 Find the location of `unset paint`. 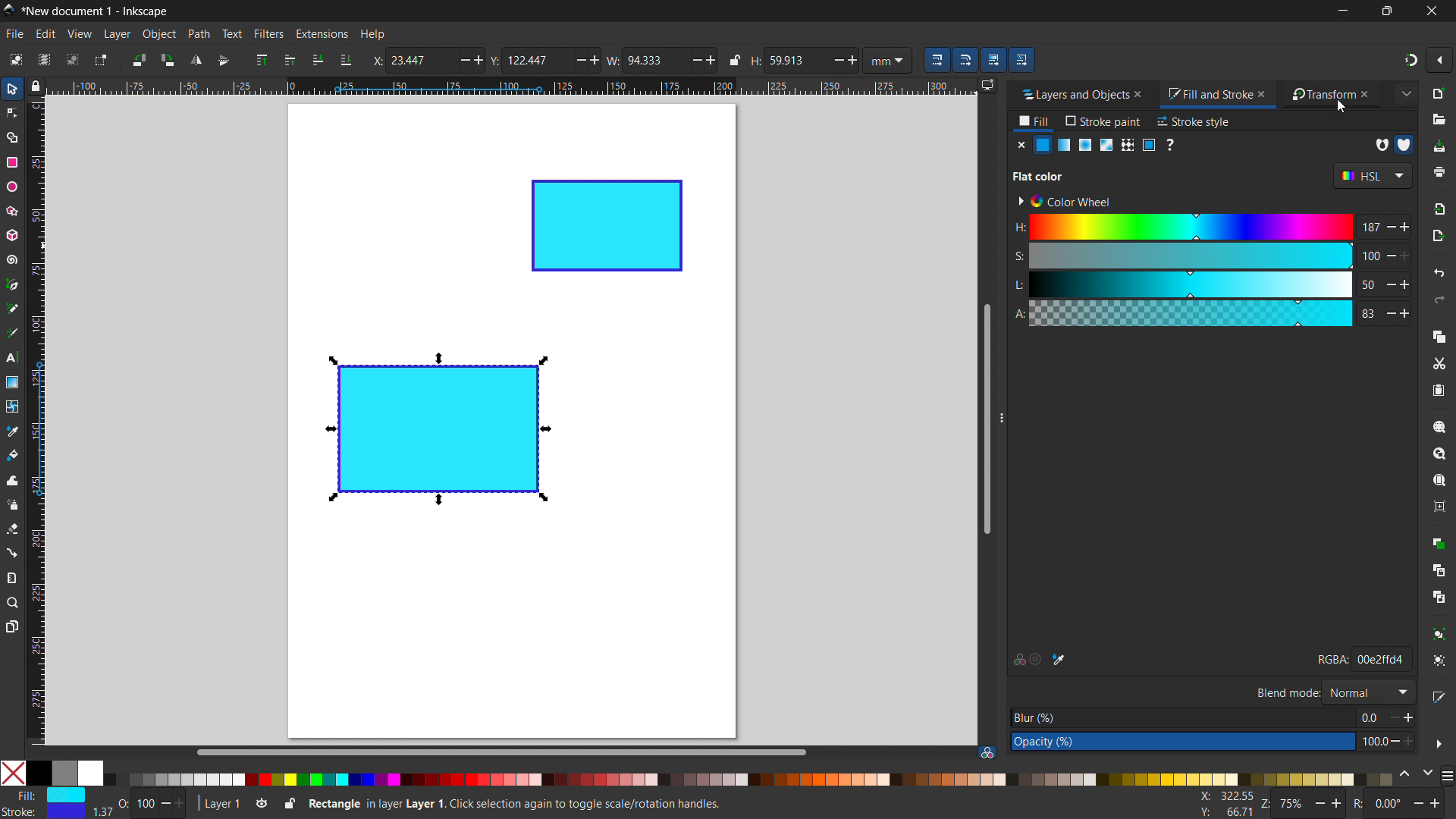

unset paint is located at coordinates (1169, 144).